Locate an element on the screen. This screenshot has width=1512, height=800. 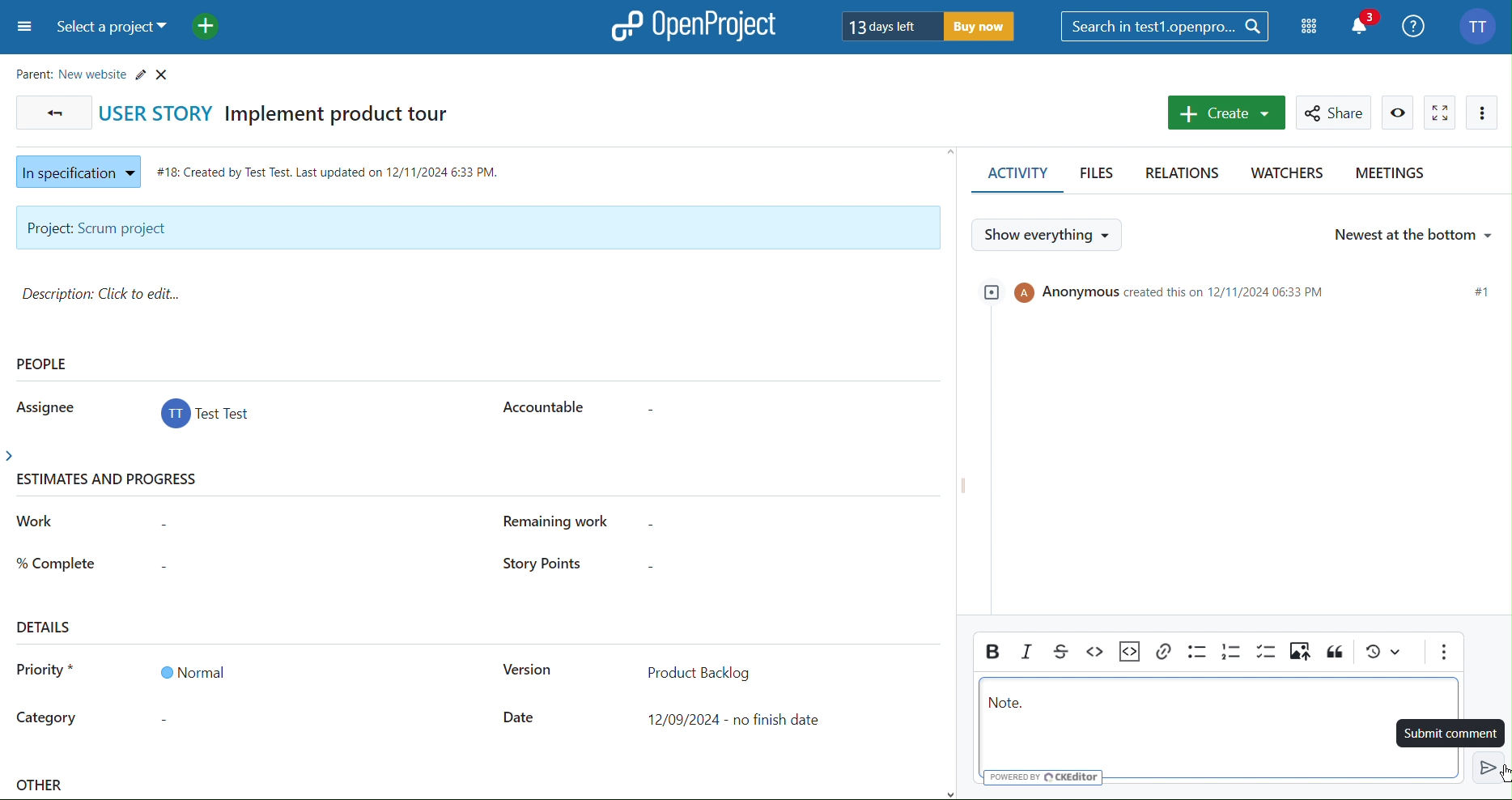
Activity is located at coordinates (1014, 177).